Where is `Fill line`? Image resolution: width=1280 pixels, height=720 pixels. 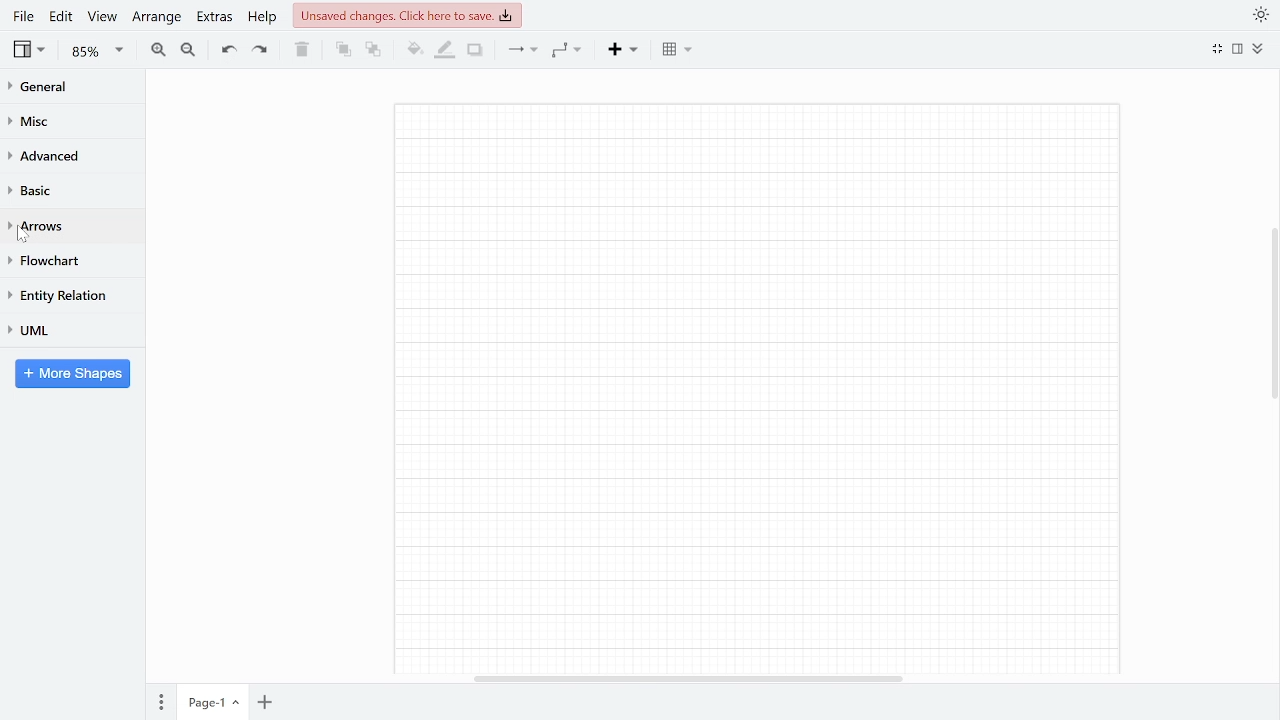 Fill line is located at coordinates (443, 50).